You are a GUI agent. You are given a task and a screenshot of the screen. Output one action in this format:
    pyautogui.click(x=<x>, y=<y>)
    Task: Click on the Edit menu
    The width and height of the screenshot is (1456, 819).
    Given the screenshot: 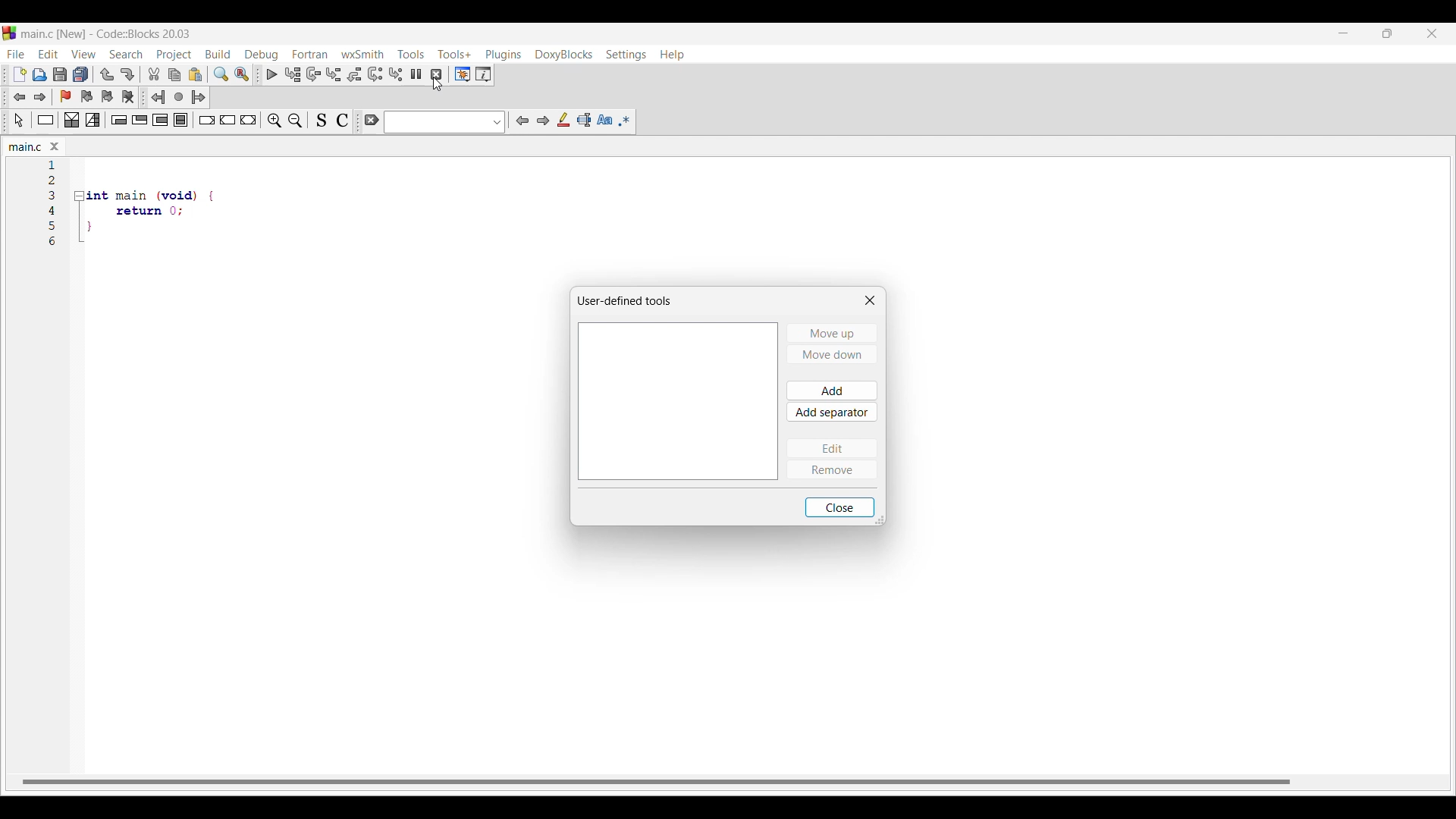 What is the action you would take?
    pyautogui.click(x=48, y=55)
    